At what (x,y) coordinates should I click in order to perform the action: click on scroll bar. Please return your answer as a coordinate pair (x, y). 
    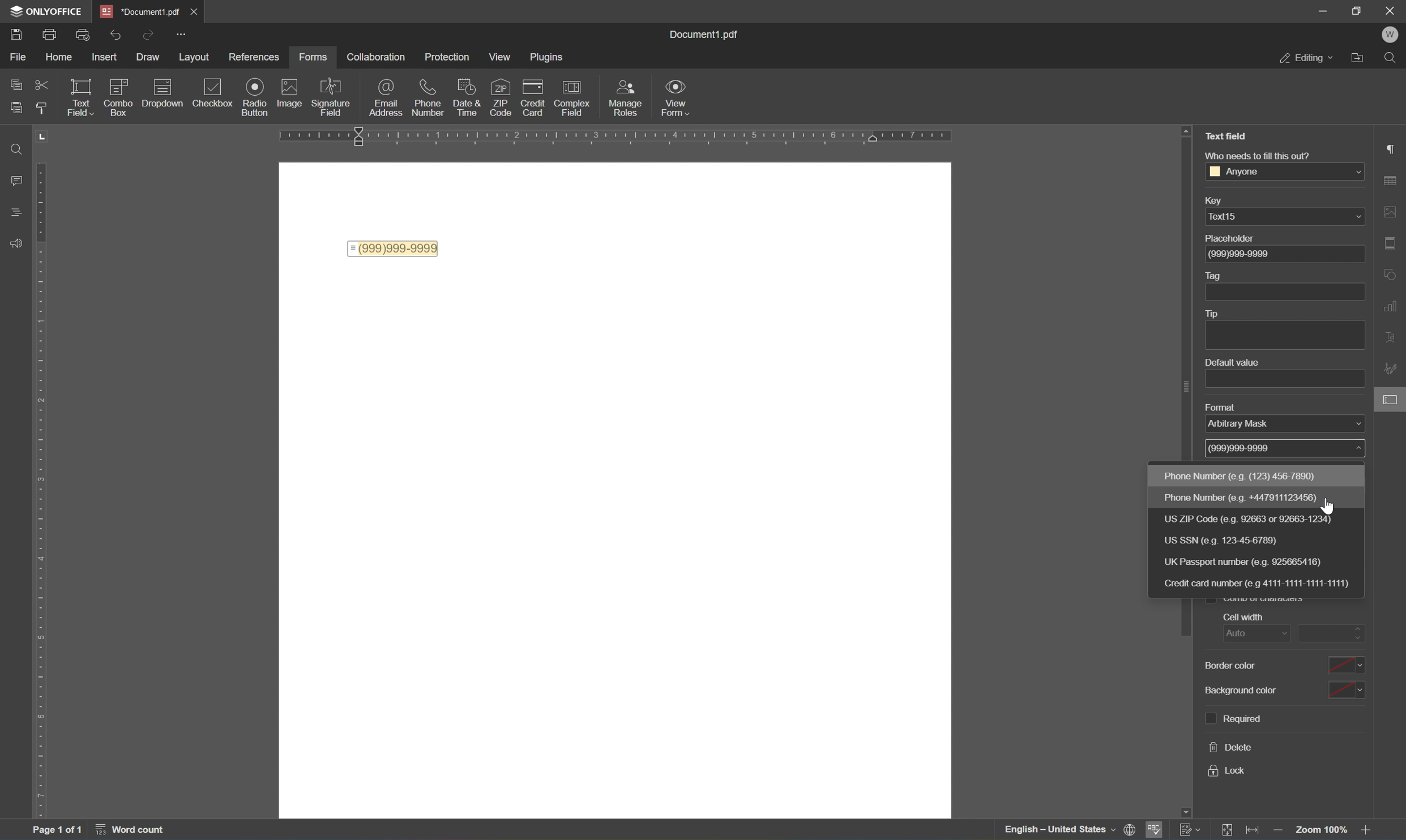
    Looking at the image, I should click on (1186, 293).